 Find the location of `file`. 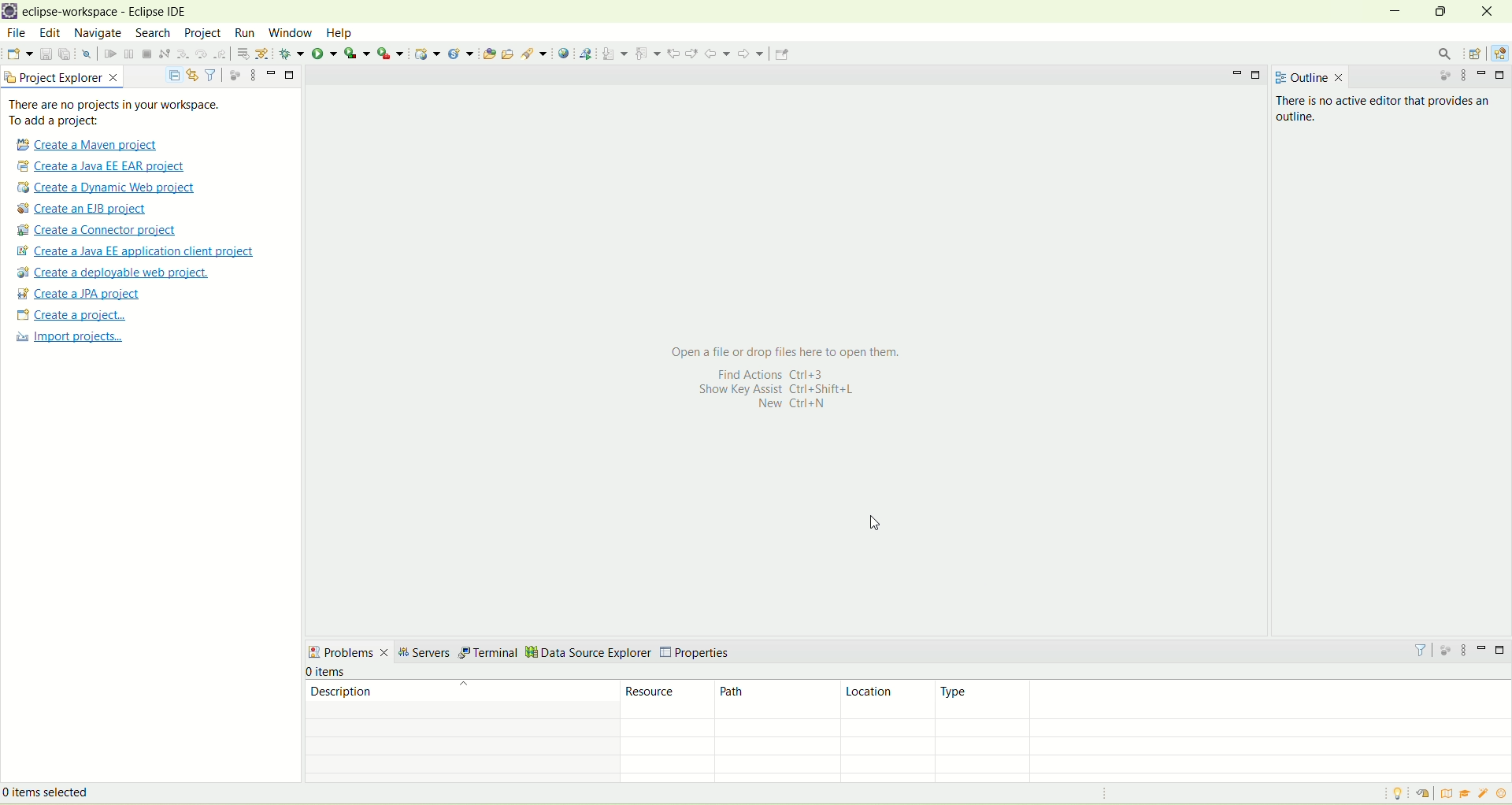

file is located at coordinates (17, 33).